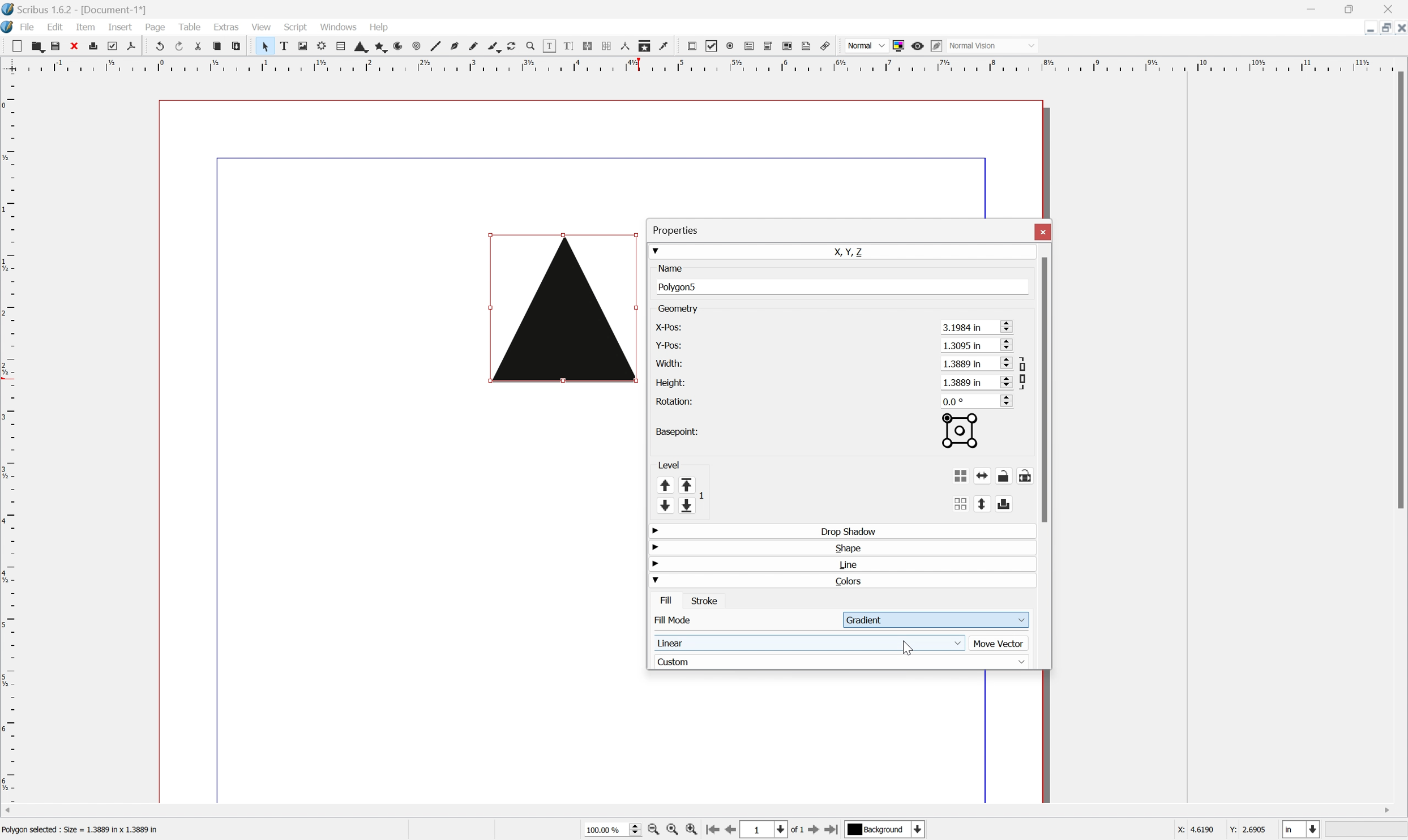  I want to click on Close, so click(1388, 10).